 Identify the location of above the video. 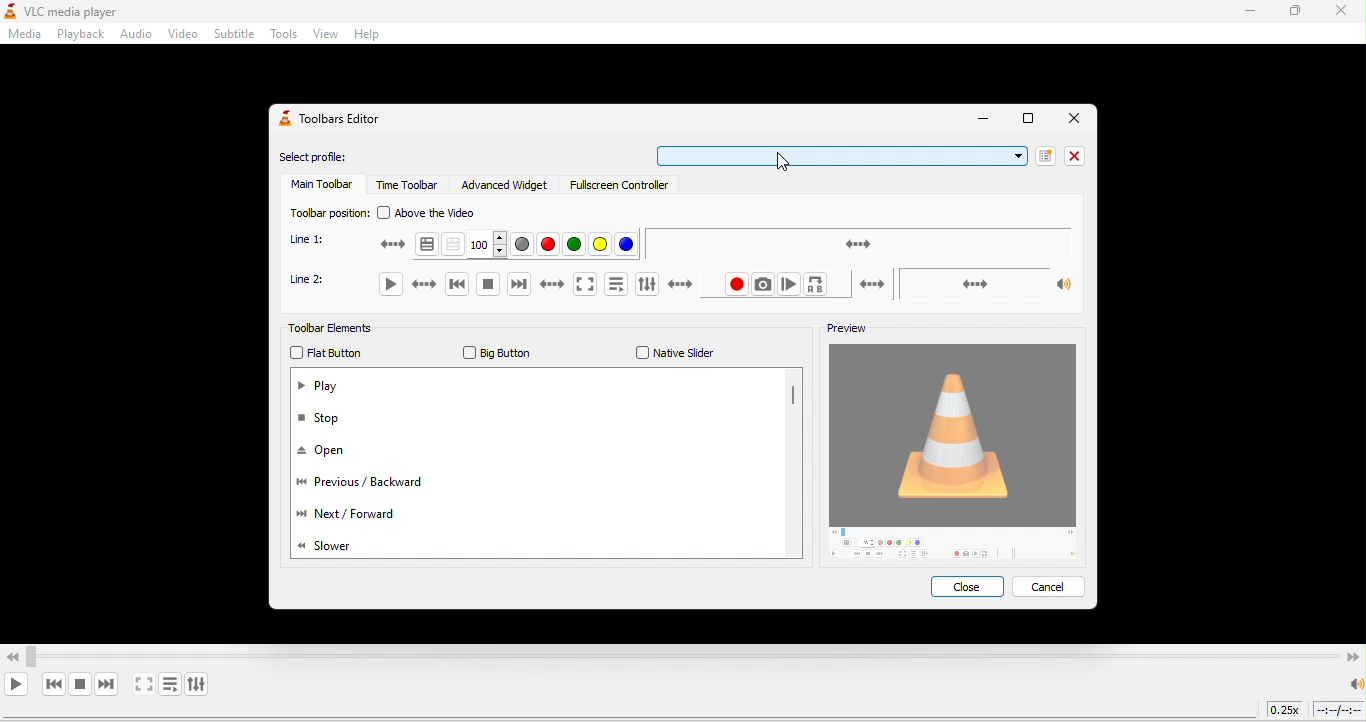
(434, 213).